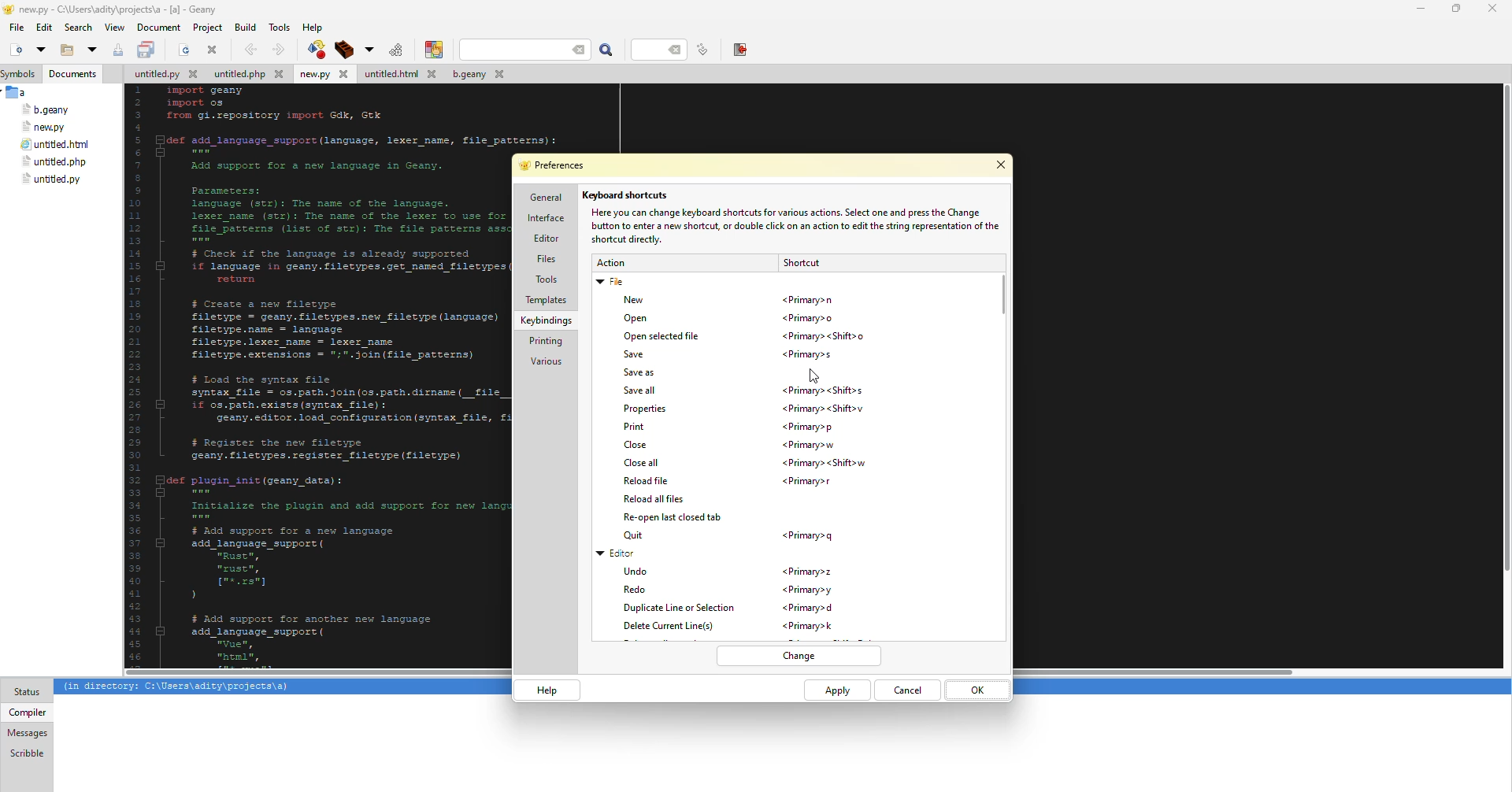  I want to click on shortcut, so click(825, 409).